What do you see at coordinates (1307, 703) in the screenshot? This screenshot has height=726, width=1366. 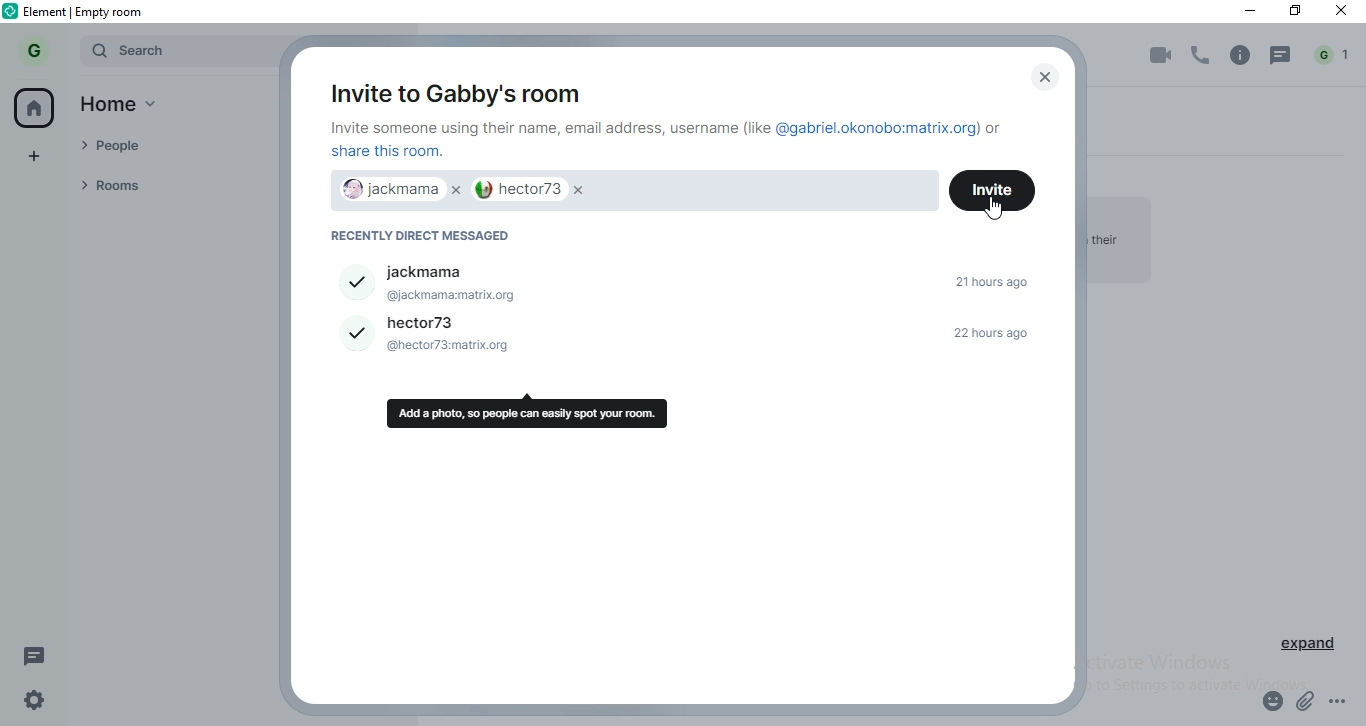 I see `attachment` at bounding box center [1307, 703].